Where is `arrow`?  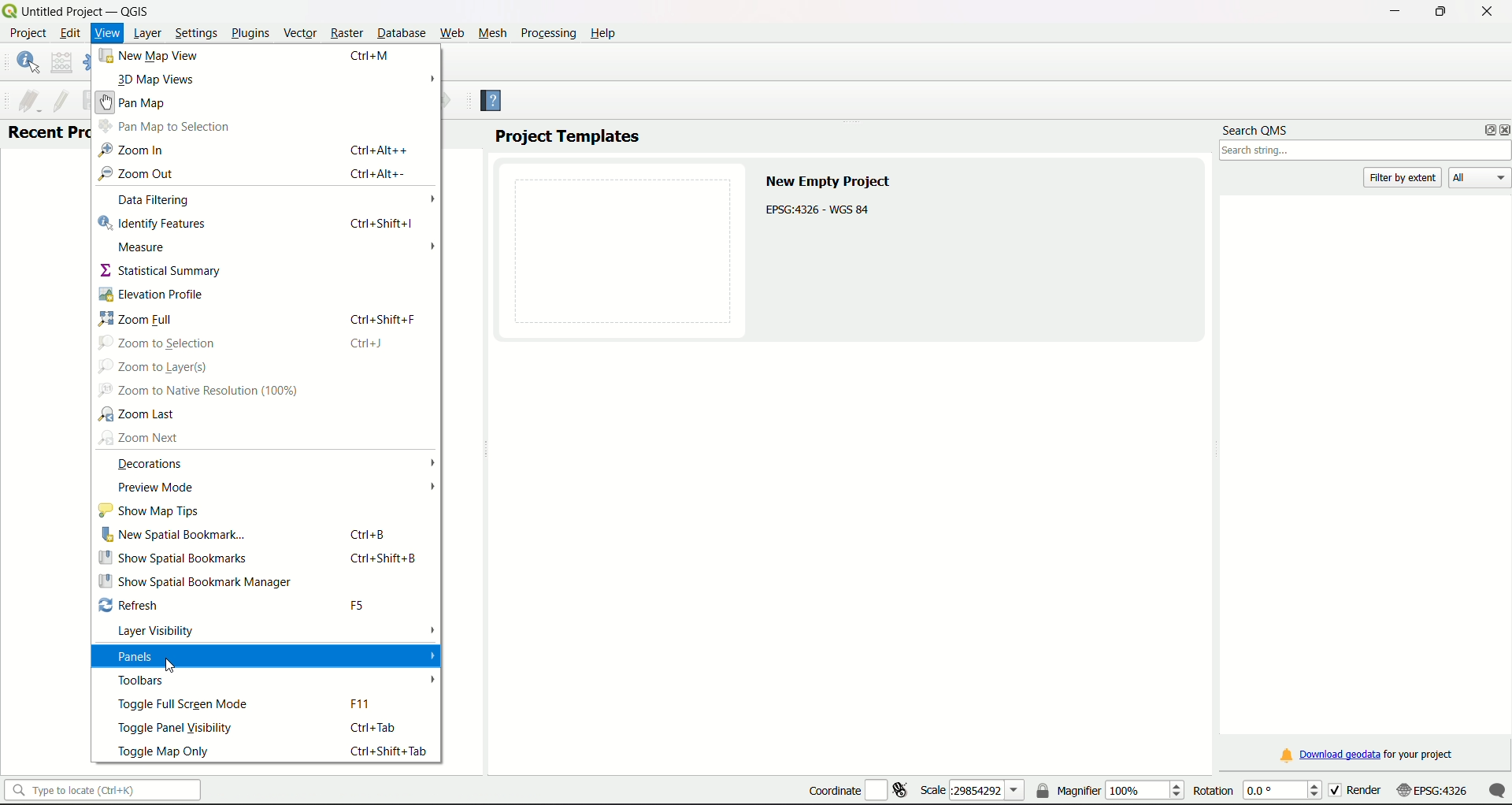
arrow is located at coordinates (429, 80).